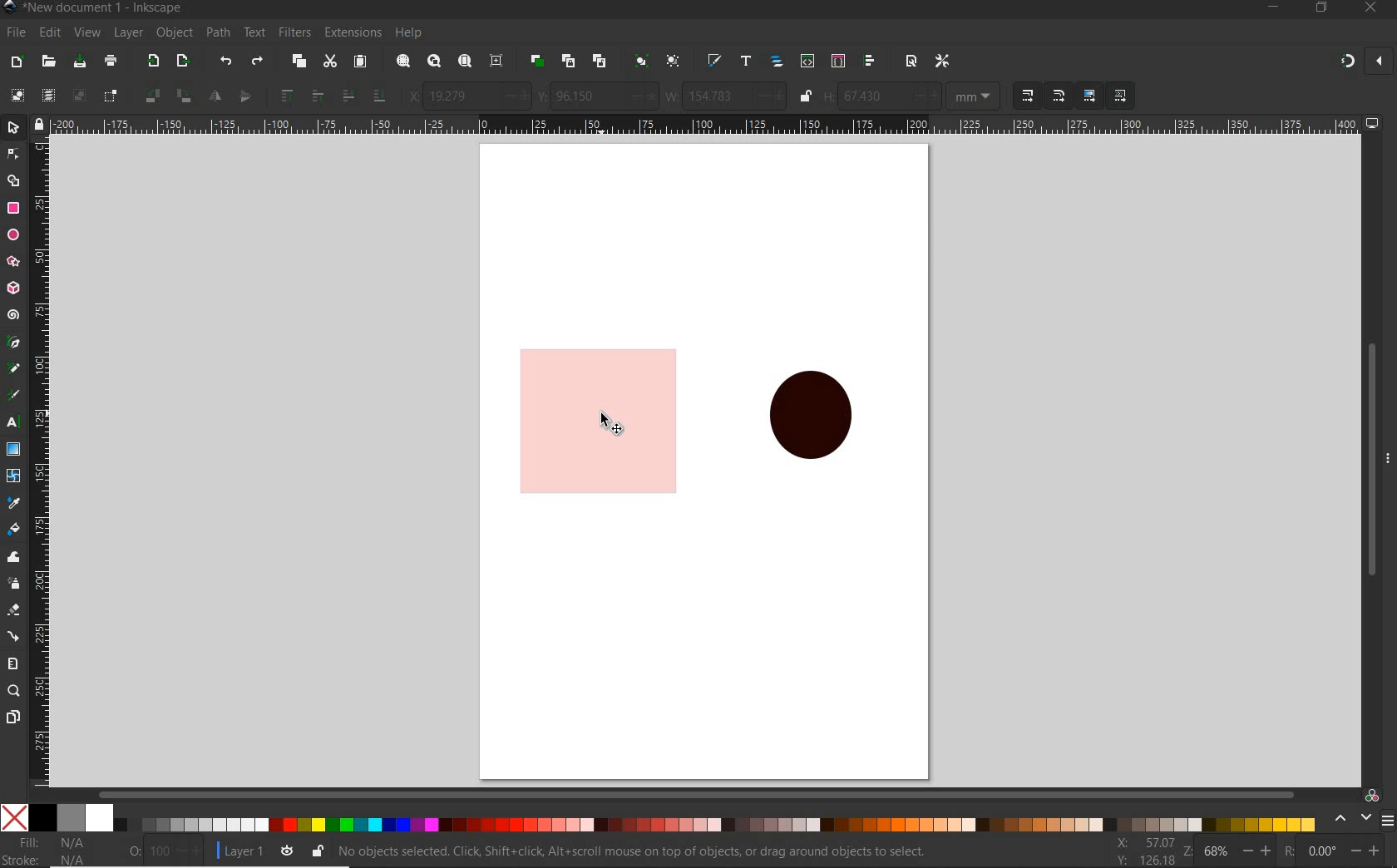  I want to click on create clone, so click(569, 61).